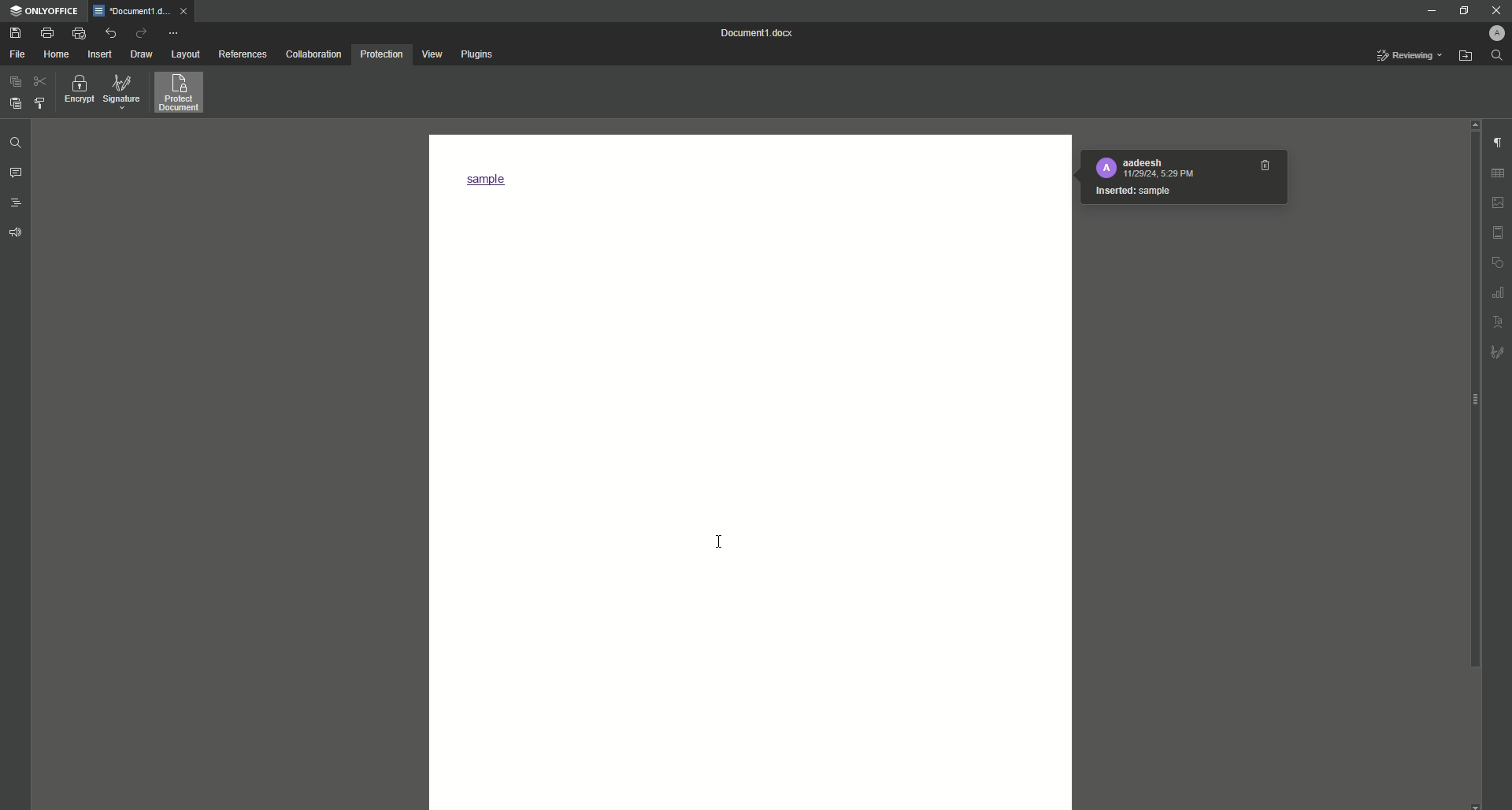 This screenshot has height=810, width=1512. I want to click on 11/29/24, 5:29 PM, so click(1158, 175).